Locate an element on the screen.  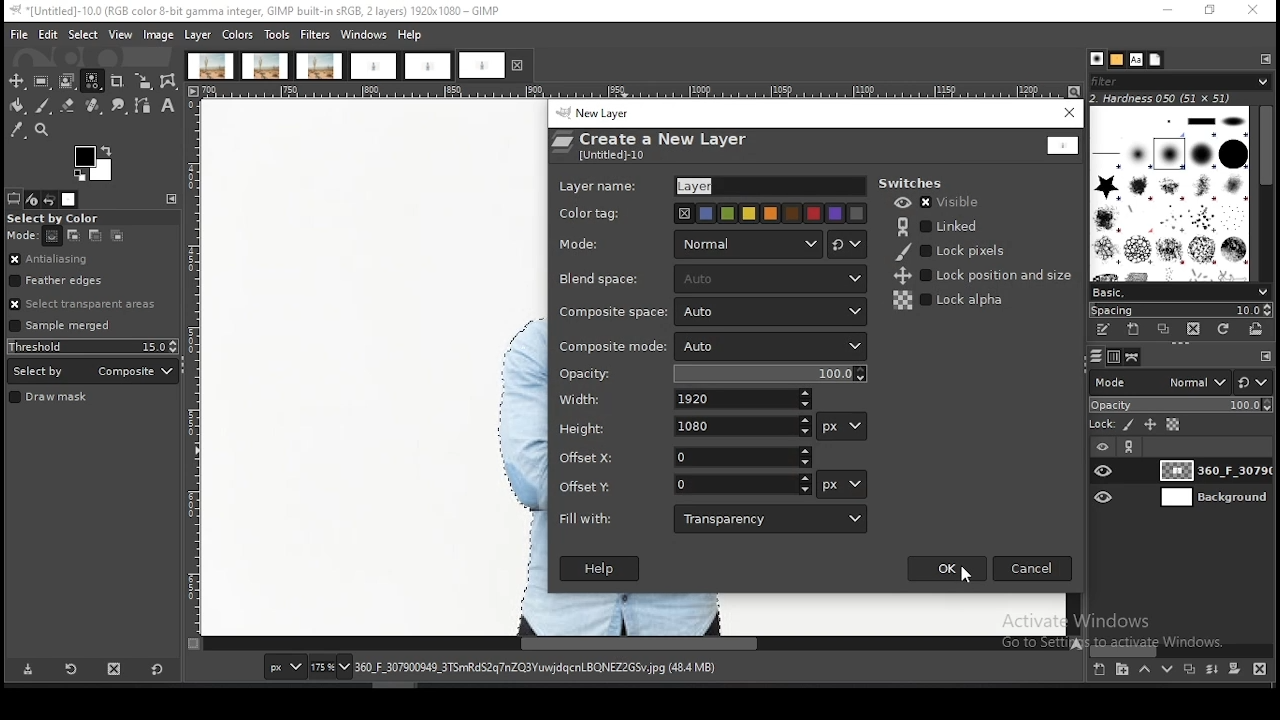
intersect with the current selection is located at coordinates (115, 237).